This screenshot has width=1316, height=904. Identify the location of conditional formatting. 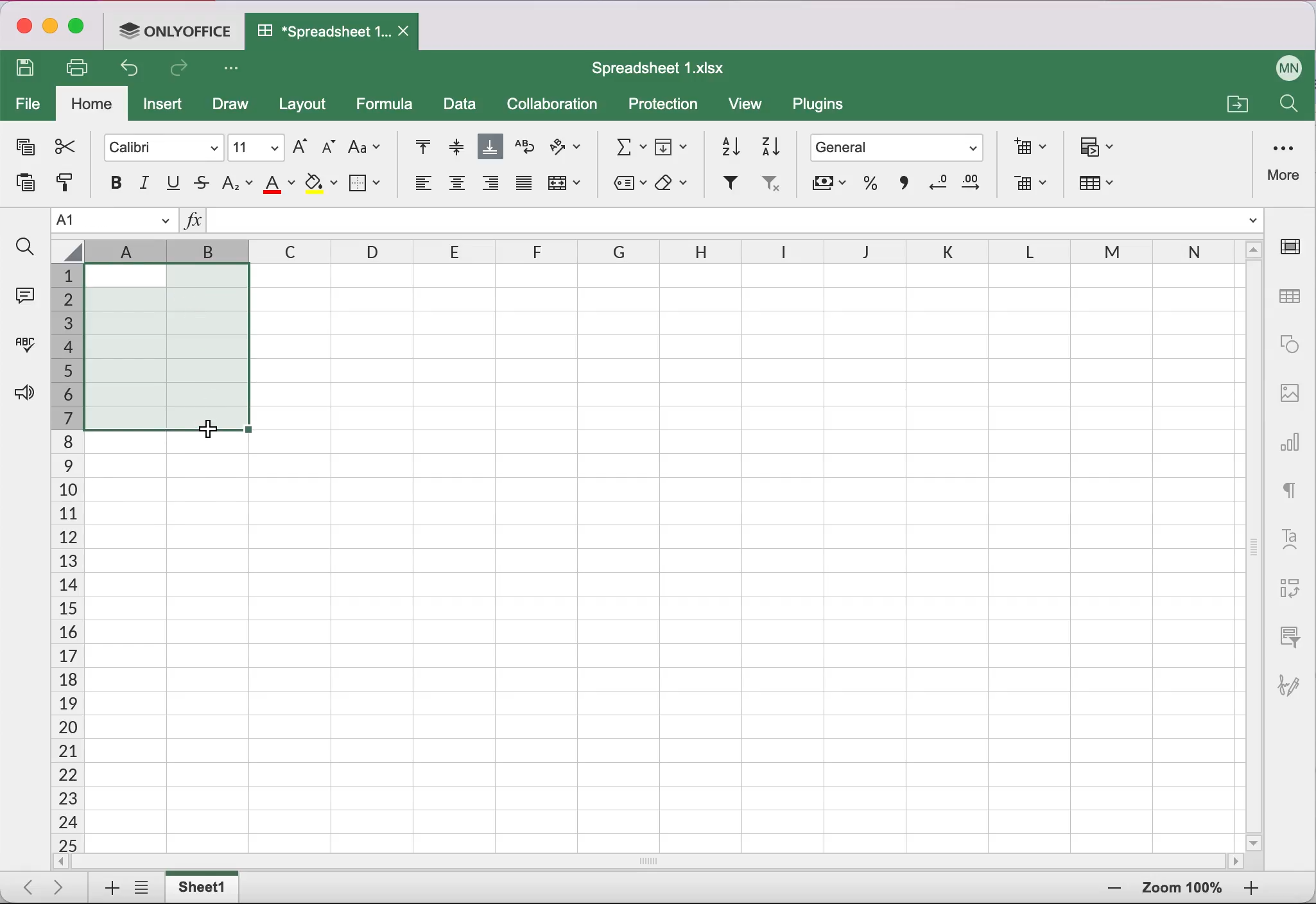
(1099, 148).